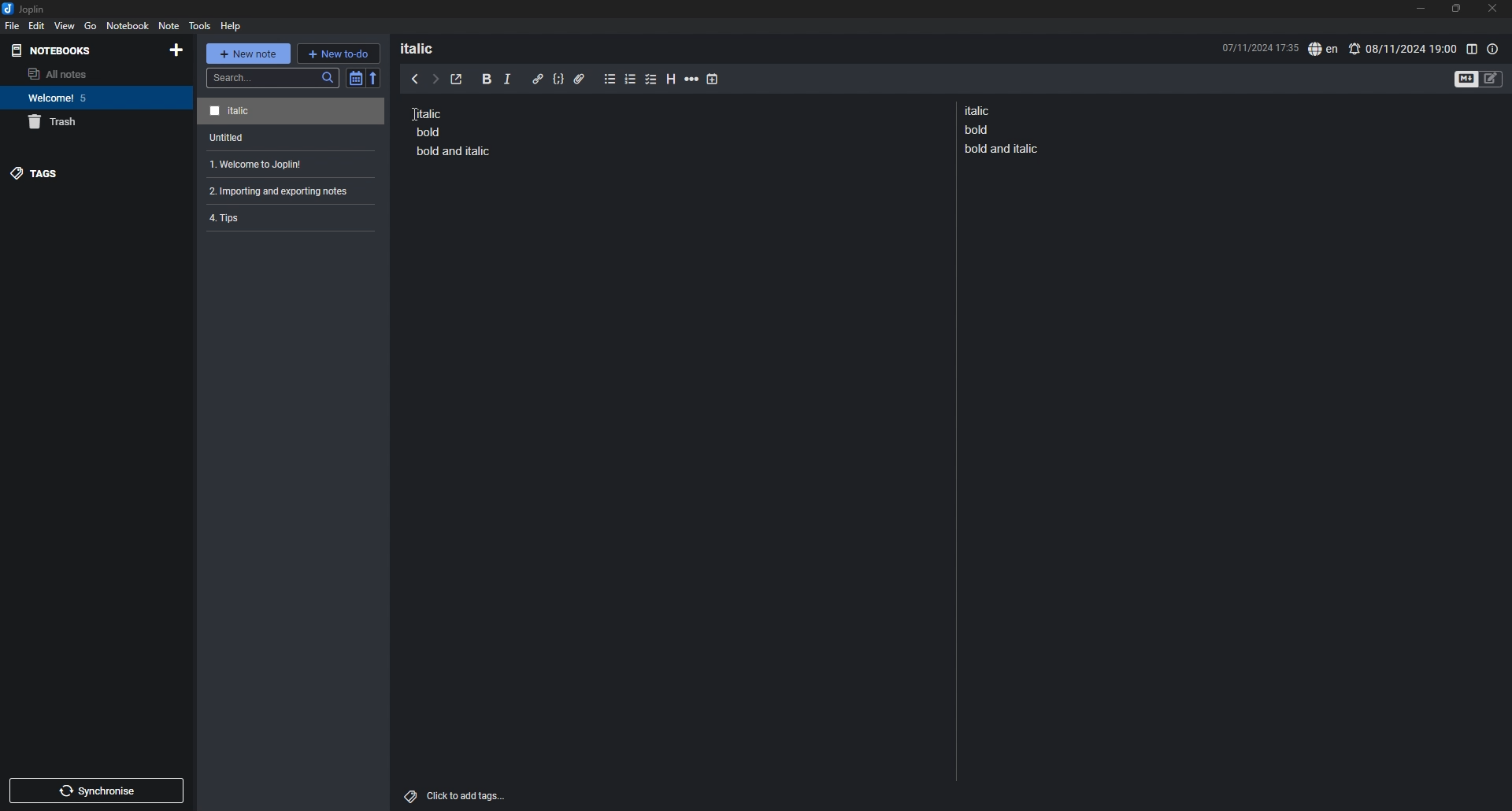 Image resolution: width=1512 pixels, height=811 pixels. What do you see at coordinates (580, 80) in the screenshot?
I see `attachment` at bounding box center [580, 80].